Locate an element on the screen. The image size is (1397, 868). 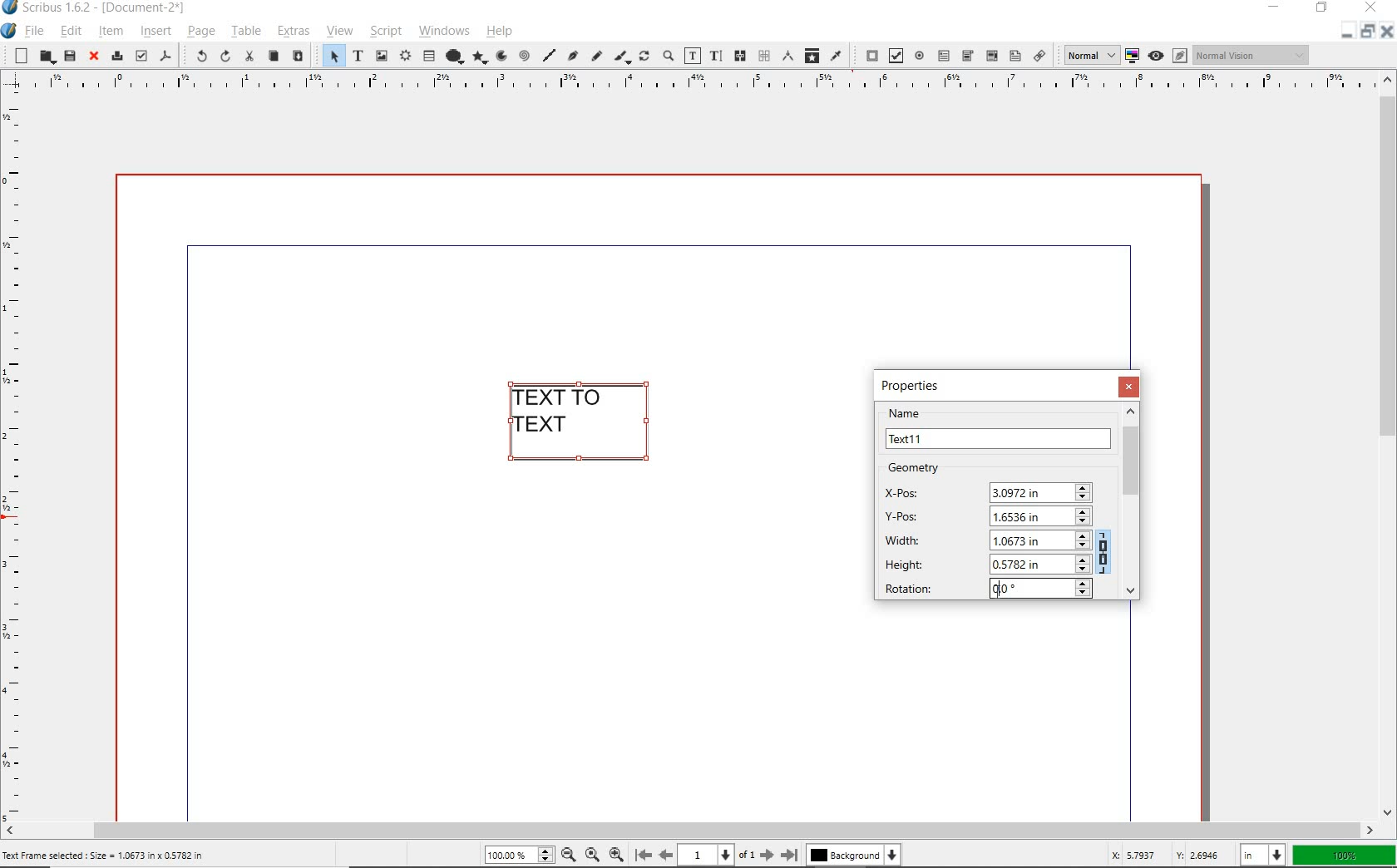
item is located at coordinates (109, 32).